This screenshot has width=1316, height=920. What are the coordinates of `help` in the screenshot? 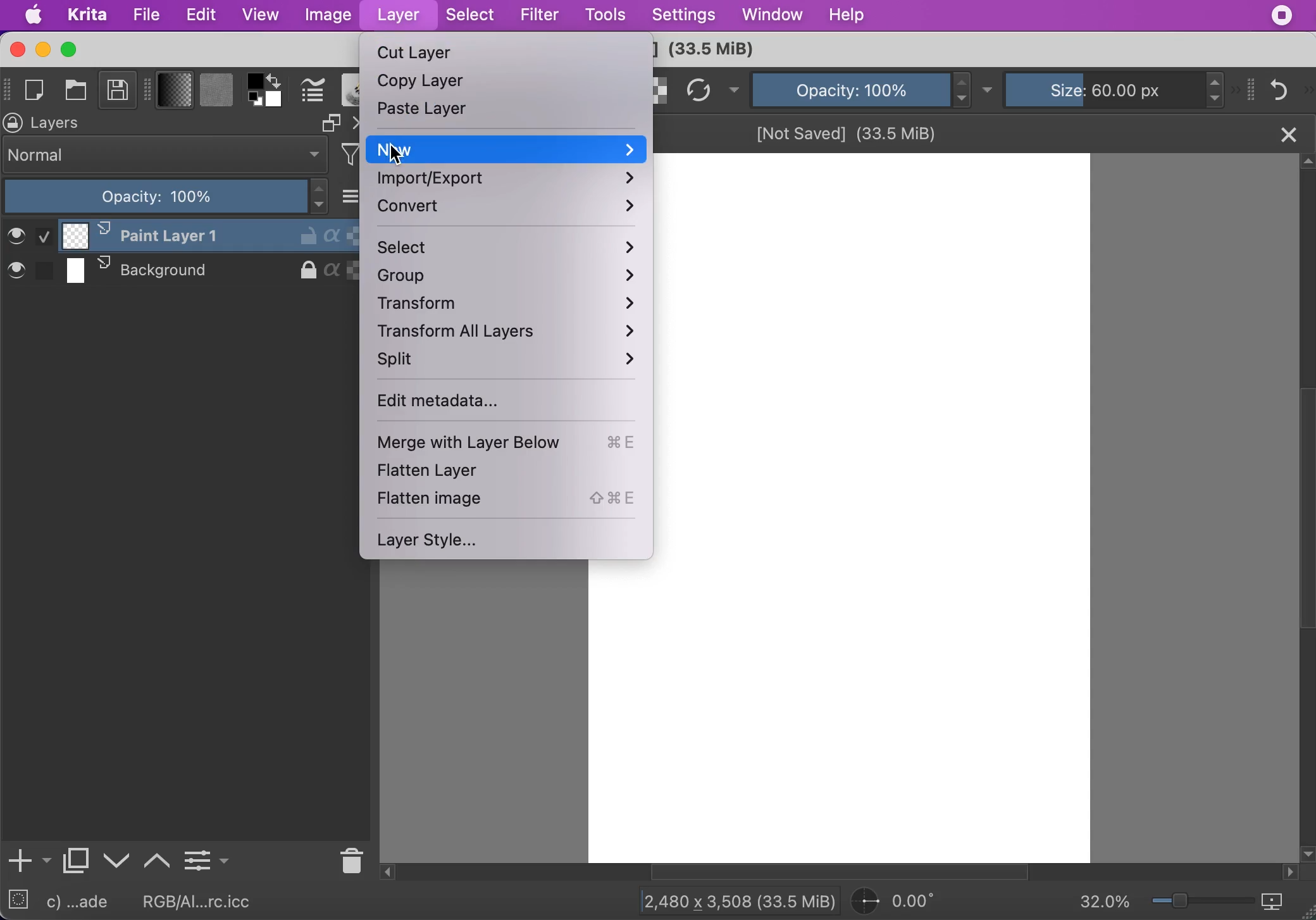 It's located at (850, 15).